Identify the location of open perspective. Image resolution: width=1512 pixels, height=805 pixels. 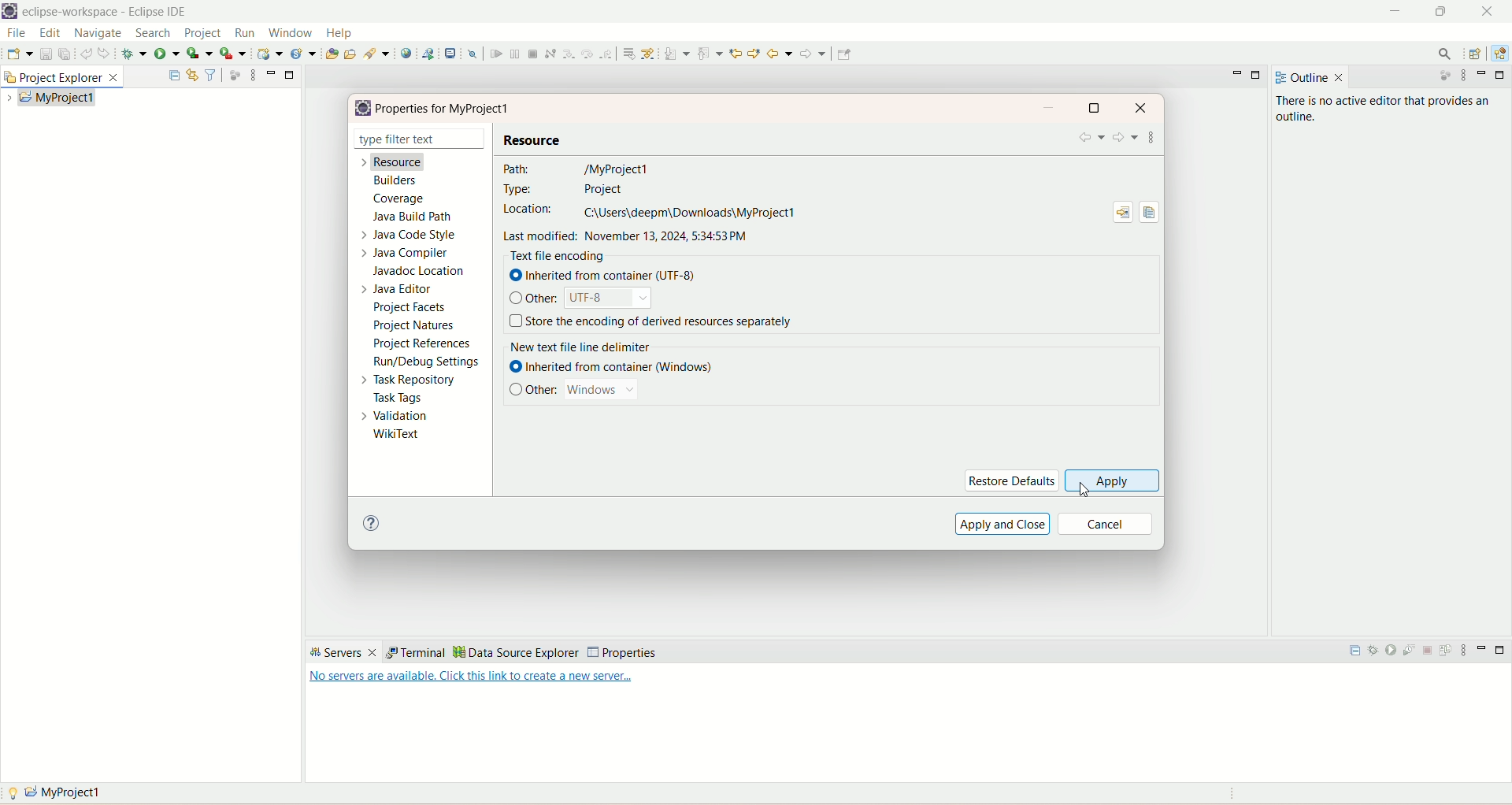
(1475, 53).